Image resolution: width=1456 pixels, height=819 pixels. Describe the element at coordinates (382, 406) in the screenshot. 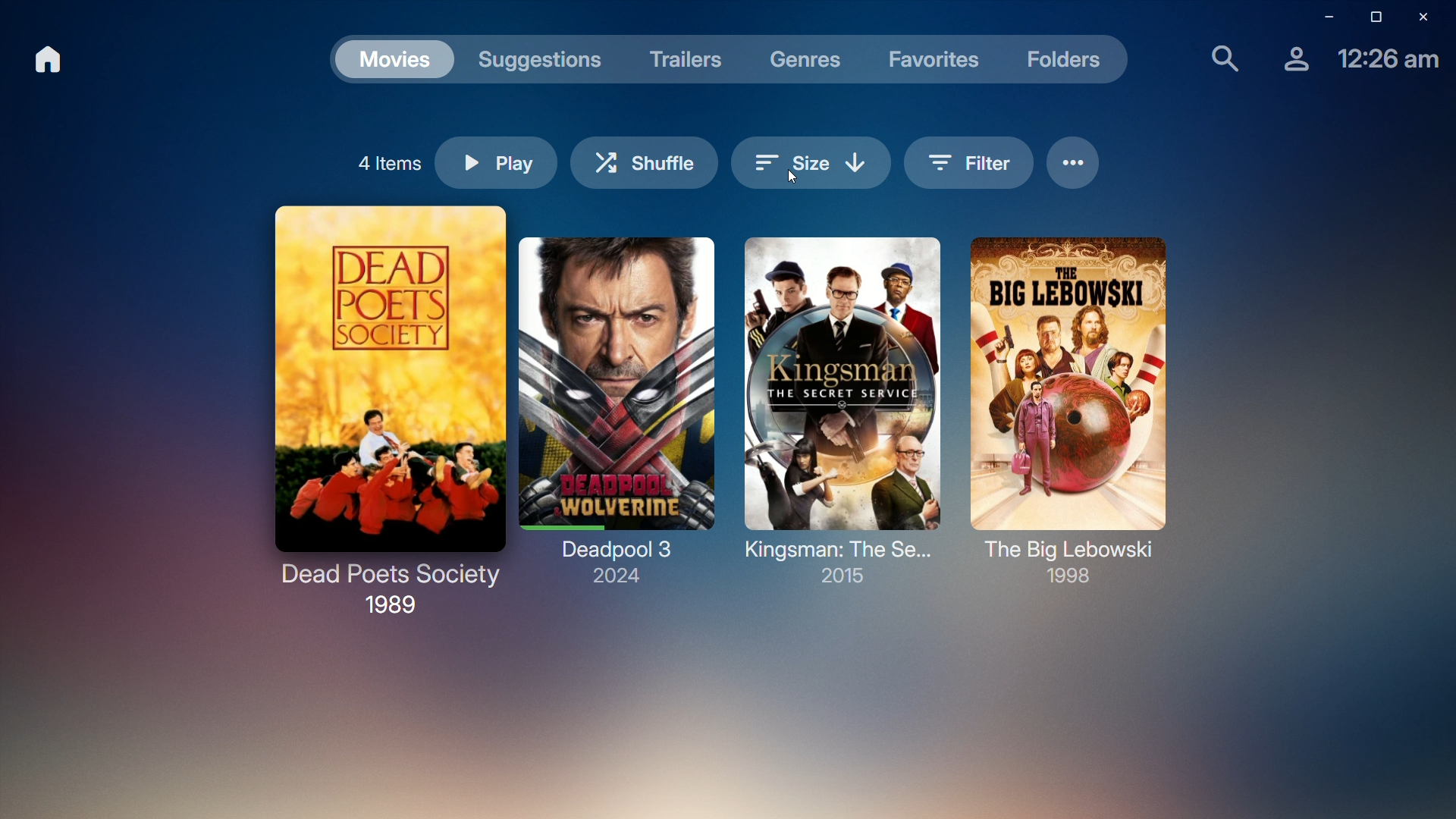

I see `Dead Poets Society` at that location.